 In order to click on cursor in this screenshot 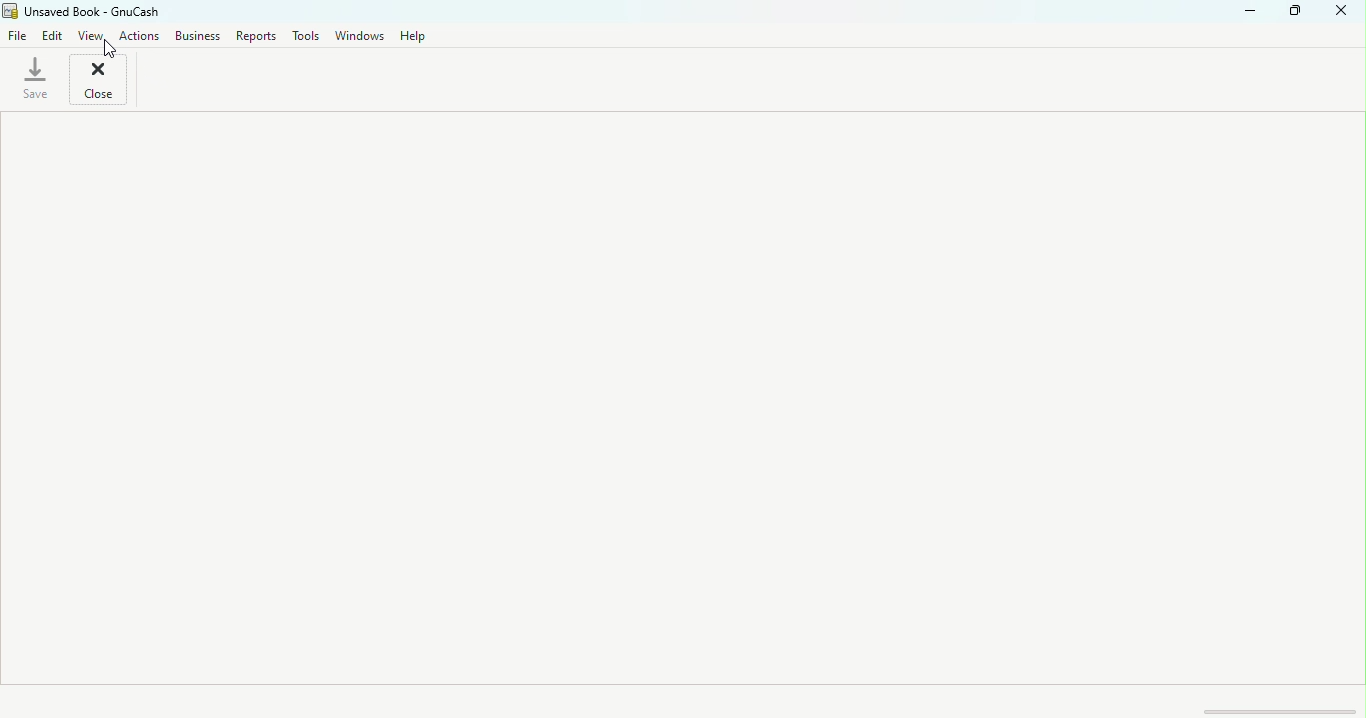, I will do `click(112, 51)`.